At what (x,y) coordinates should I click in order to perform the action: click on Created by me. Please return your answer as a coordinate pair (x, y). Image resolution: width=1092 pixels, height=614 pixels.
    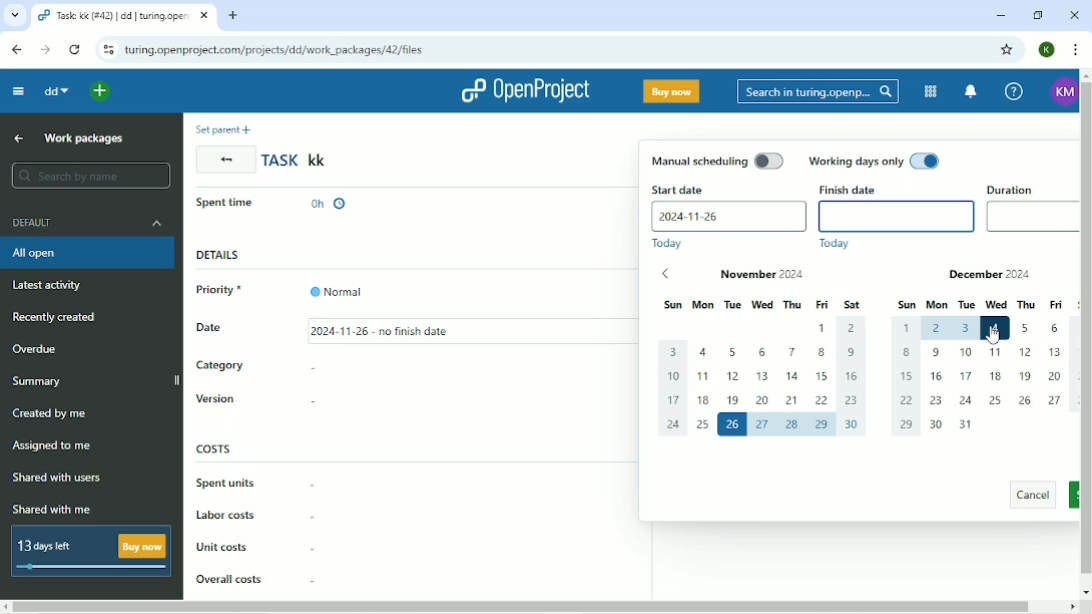
    Looking at the image, I should click on (49, 413).